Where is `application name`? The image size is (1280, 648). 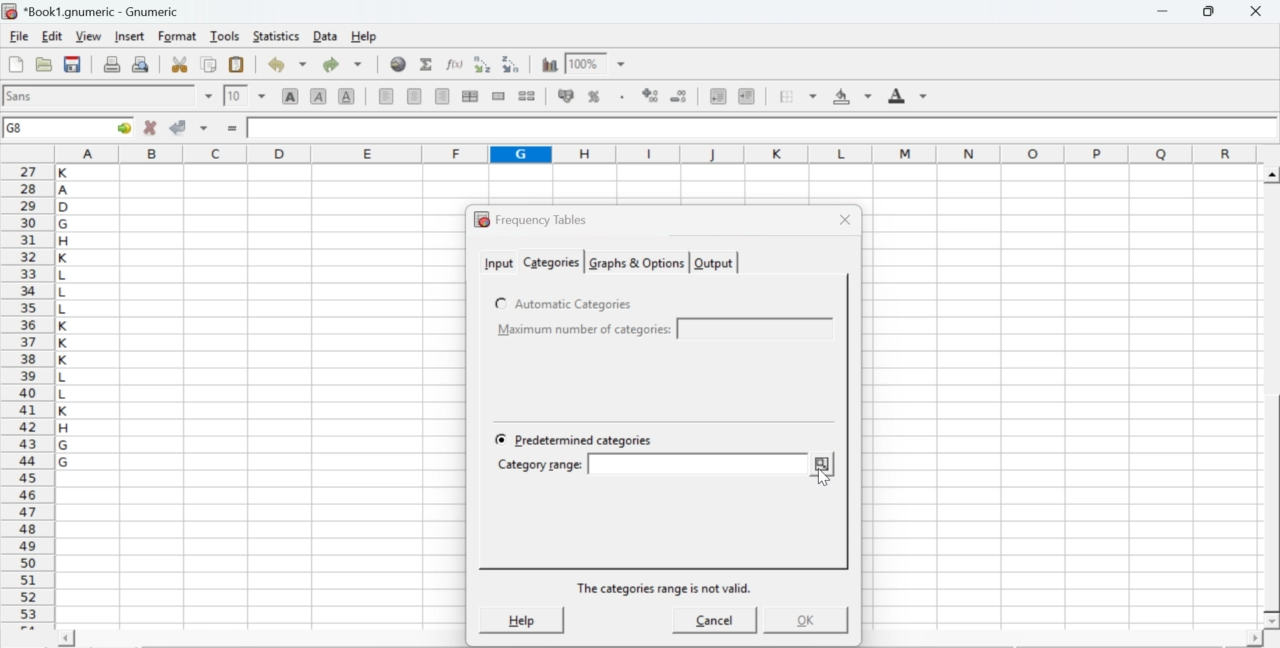 application name is located at coordinates (94, 9).